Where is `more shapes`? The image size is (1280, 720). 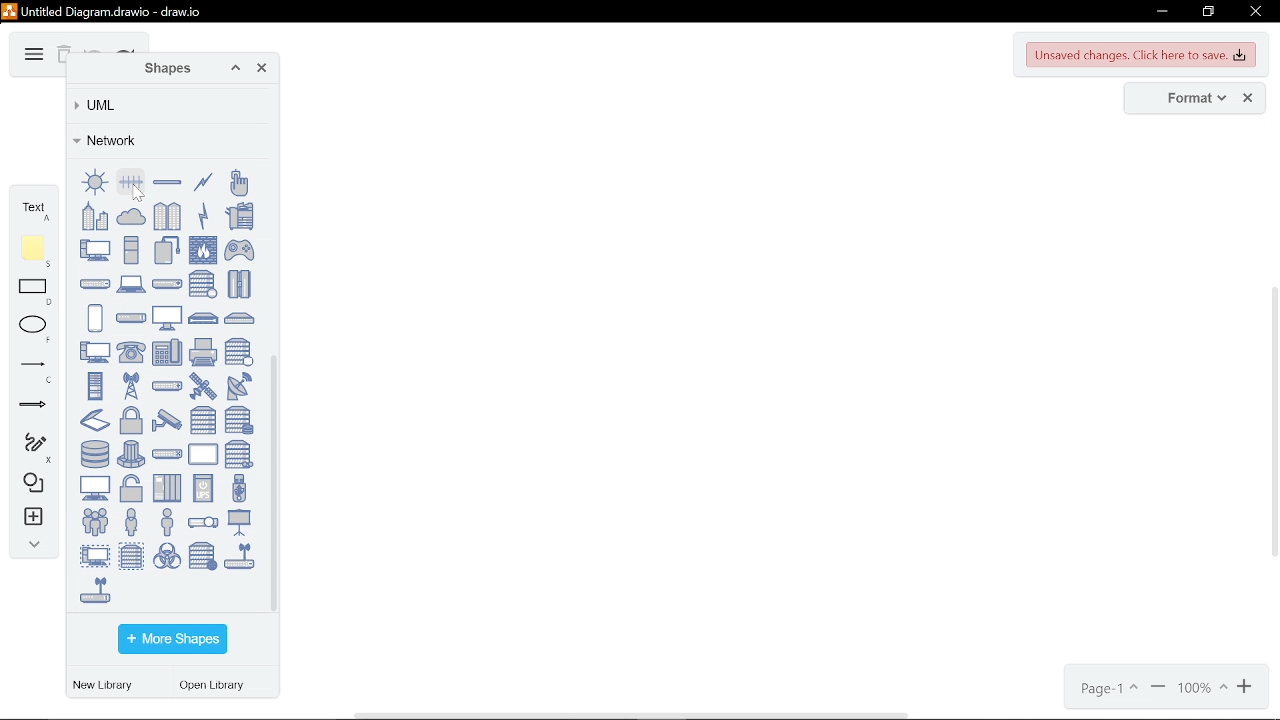 more shapes is located at coordinates (172, 640).